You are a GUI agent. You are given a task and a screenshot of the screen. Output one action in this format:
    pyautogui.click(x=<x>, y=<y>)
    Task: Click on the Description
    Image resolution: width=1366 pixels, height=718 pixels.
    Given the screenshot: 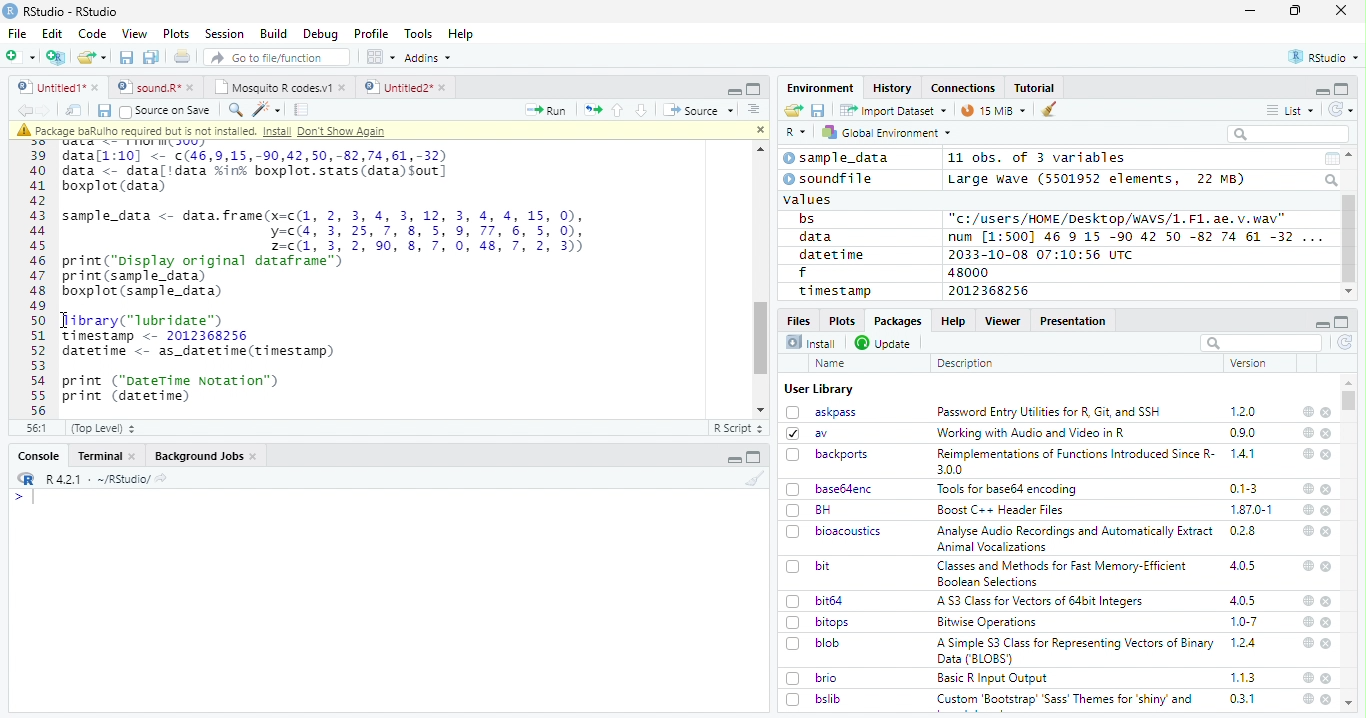 What is the action you would take?
    pyautogui.click(x=966, y=363)
    